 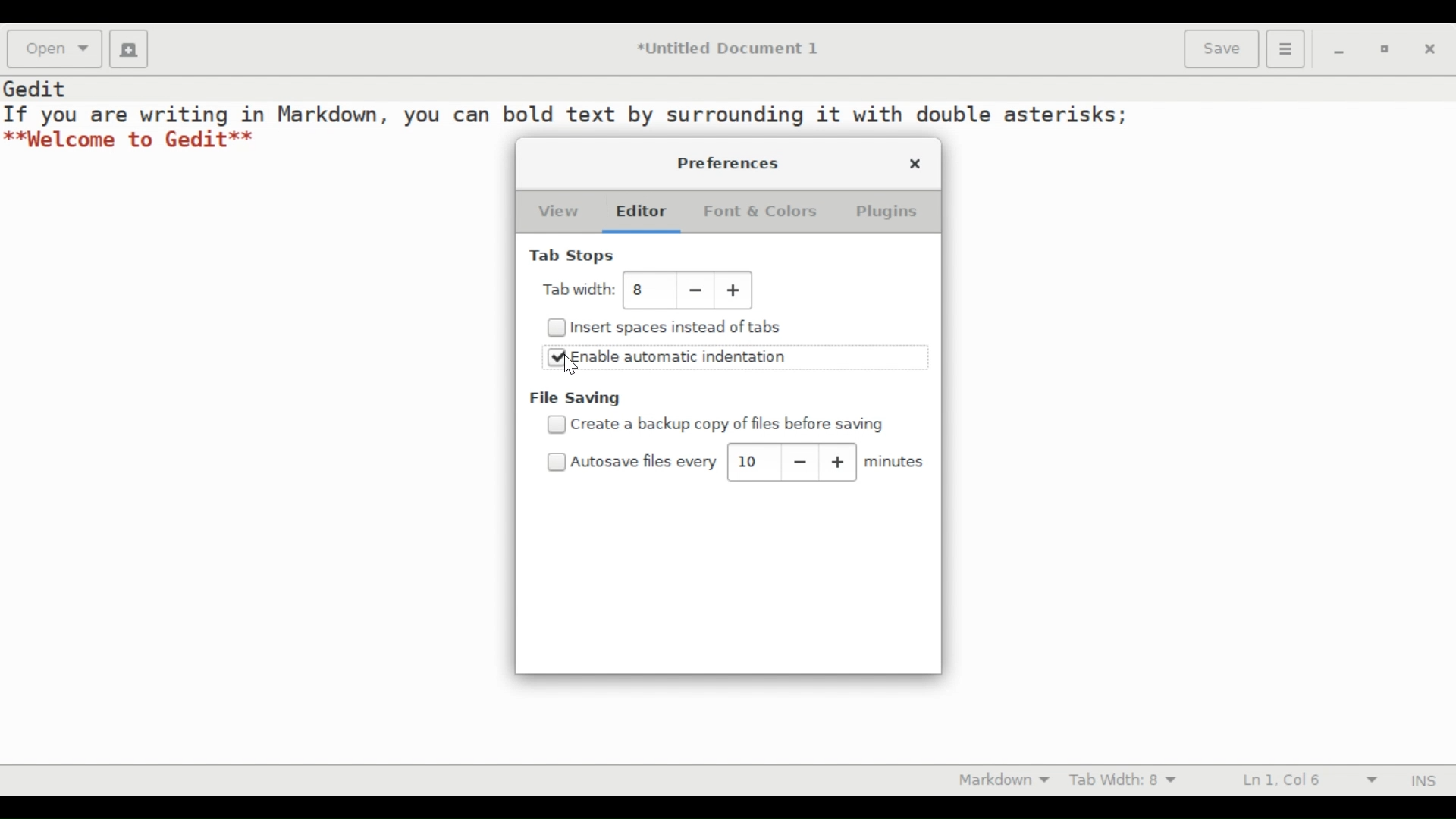 I want to click on close, so click(x=916, y=163).